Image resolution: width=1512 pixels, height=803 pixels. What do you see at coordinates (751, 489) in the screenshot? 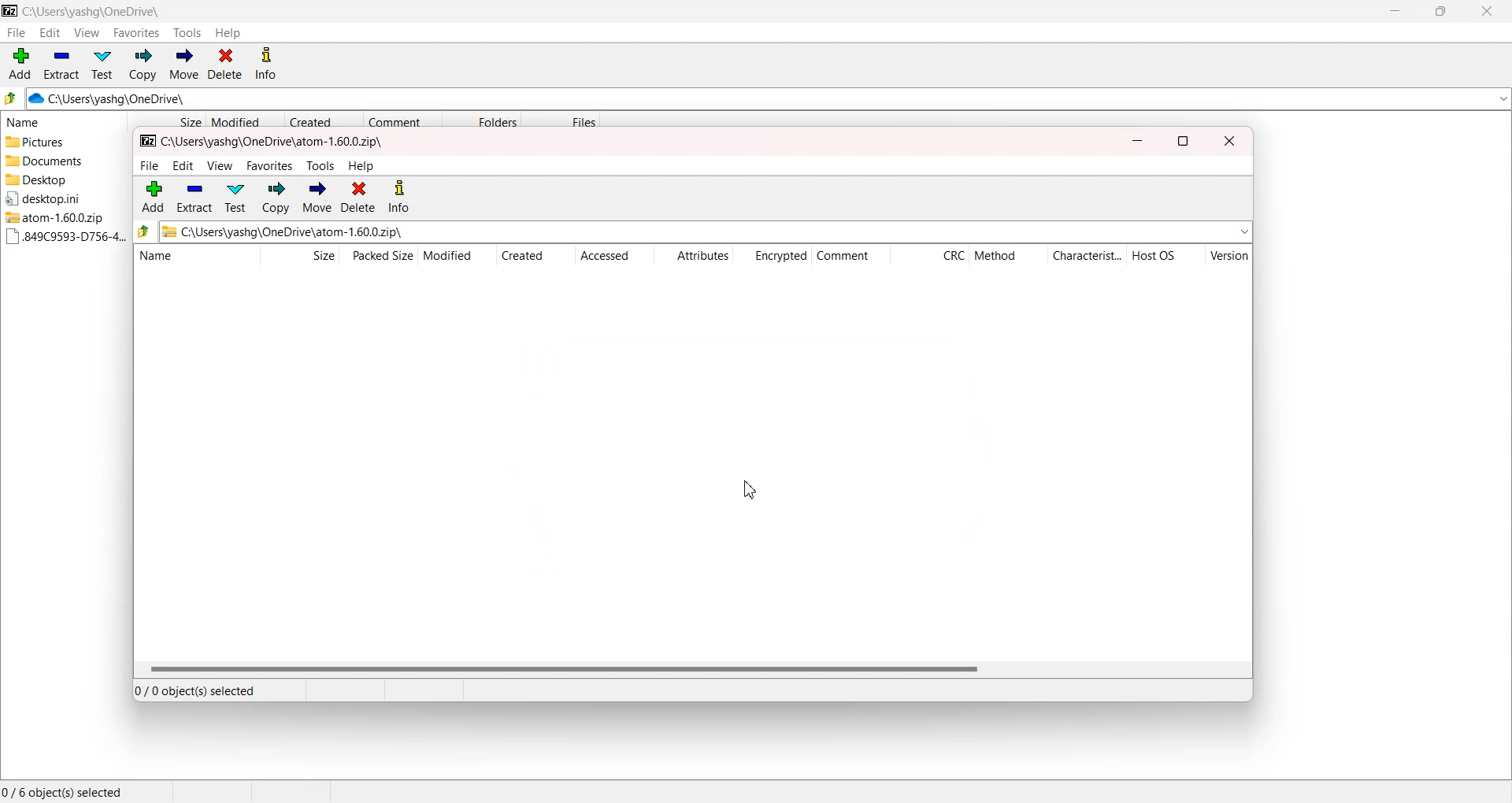
I see `Cursor` at bounding box center [751, 489].